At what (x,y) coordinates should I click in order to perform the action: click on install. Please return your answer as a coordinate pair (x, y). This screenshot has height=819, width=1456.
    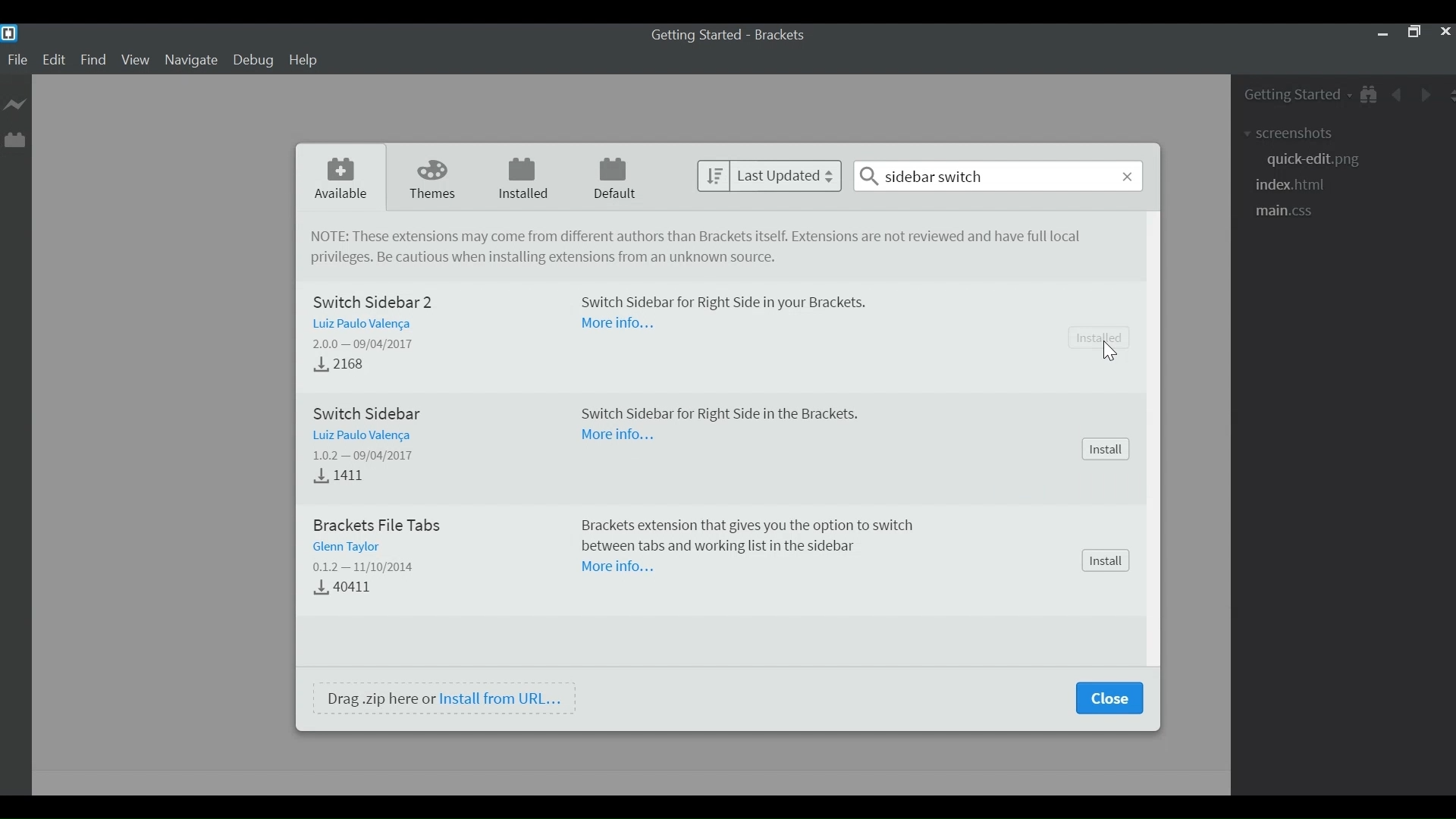
    Looking at the image, I should click on (1104, 560).